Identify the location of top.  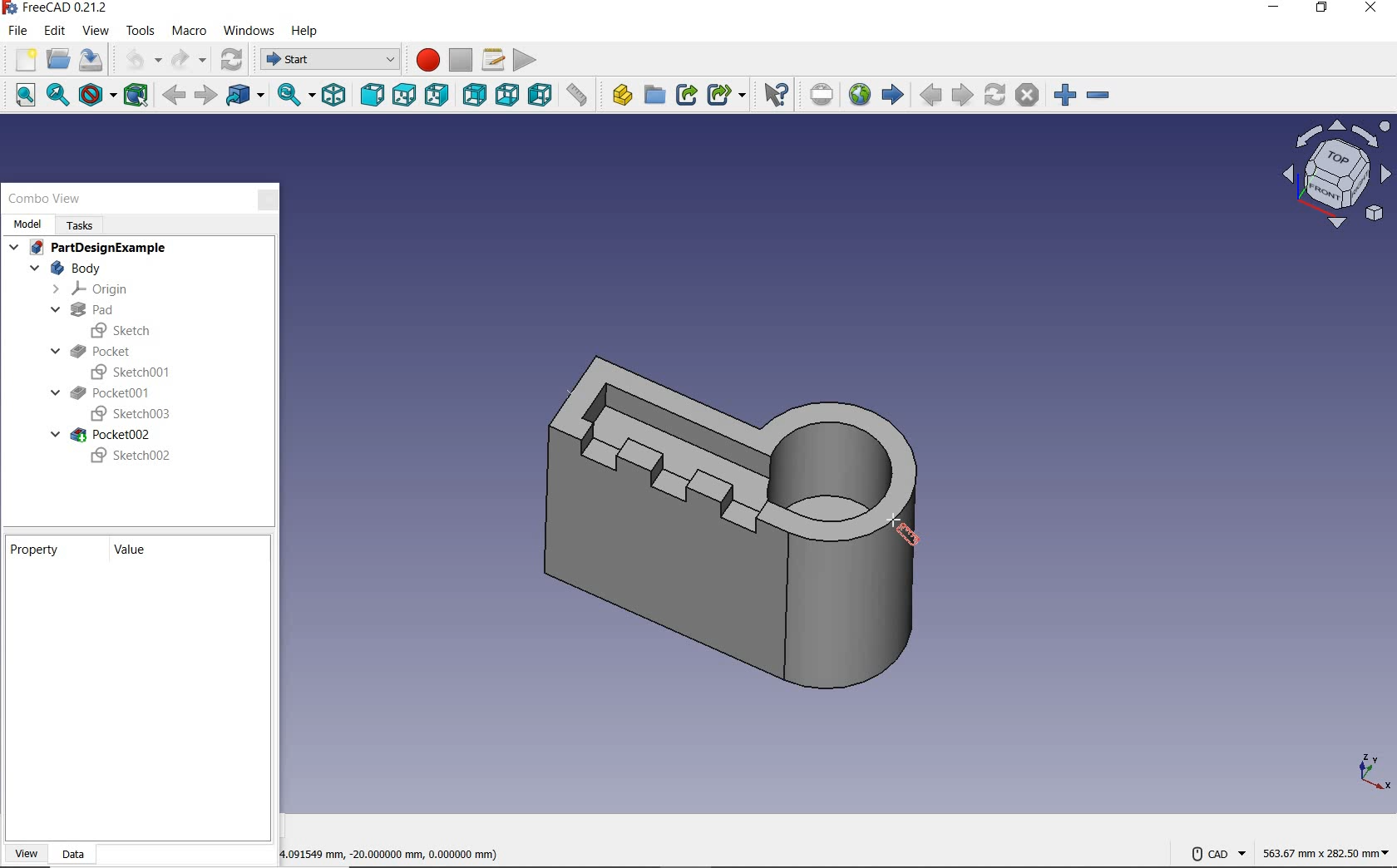
(403, 96).